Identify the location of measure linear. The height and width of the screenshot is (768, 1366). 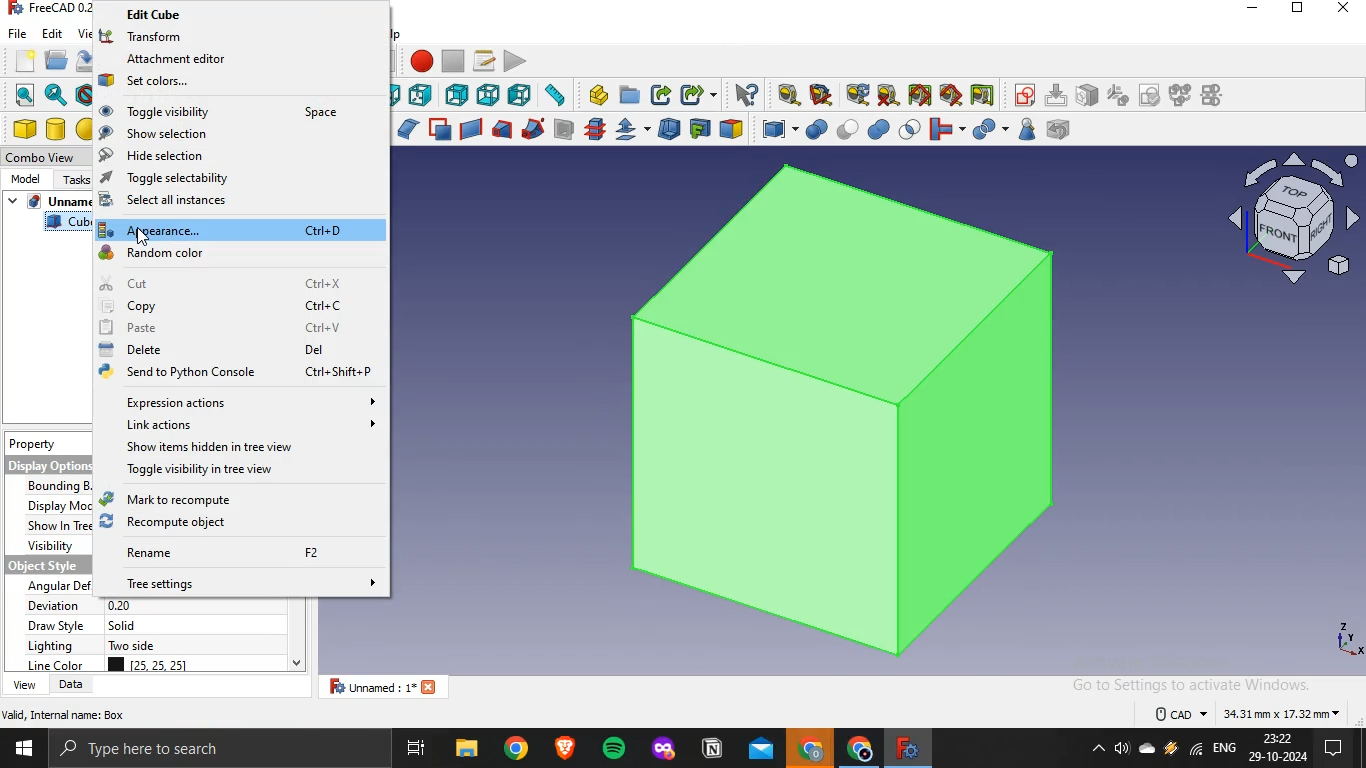
(789, 96).